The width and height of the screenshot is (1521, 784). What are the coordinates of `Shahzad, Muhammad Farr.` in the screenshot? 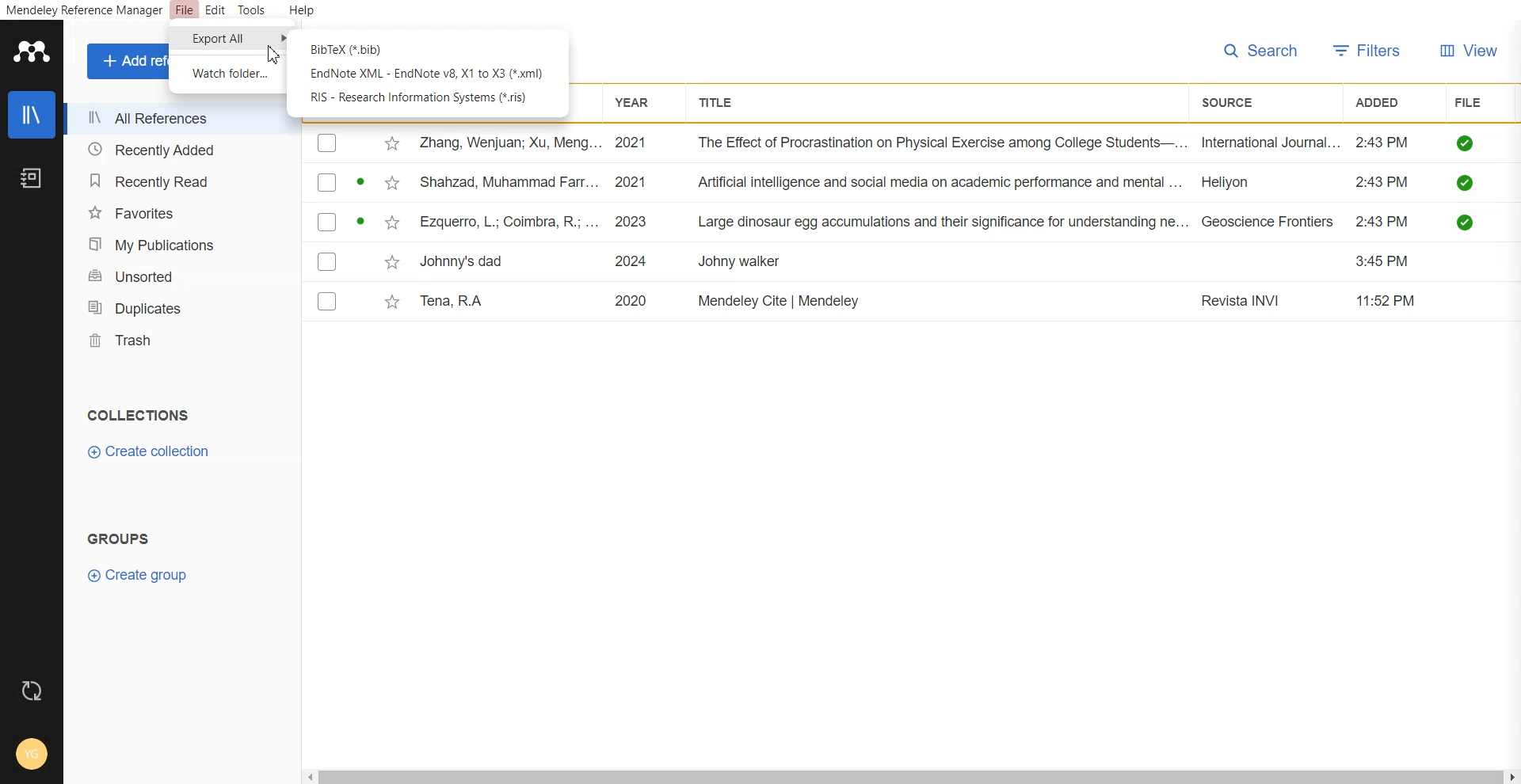 It's located at (513, 181).